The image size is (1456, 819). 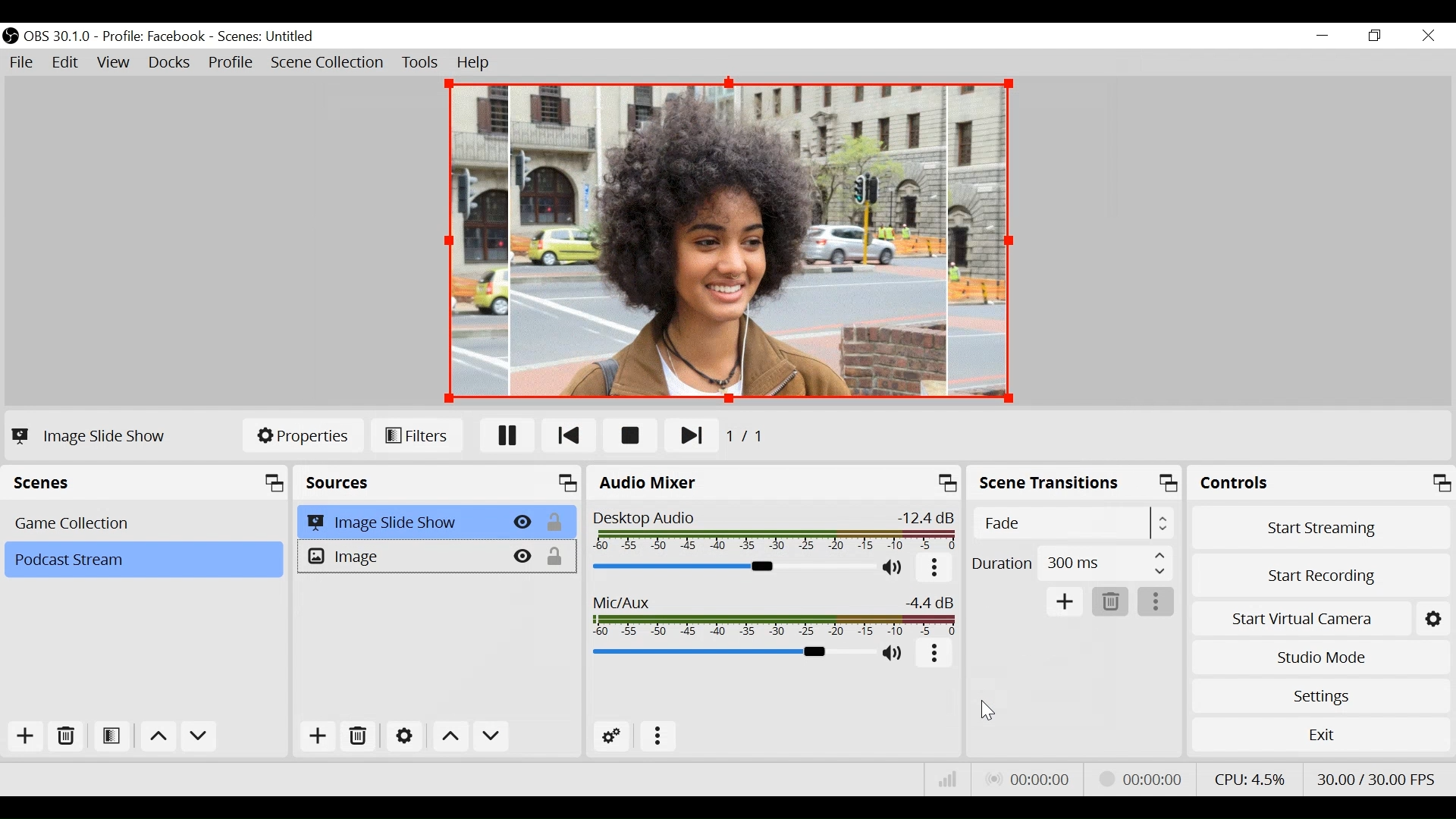 What do you see at coordinates (1321, 655) in the screenshot?
I see `Studio Mode` at bounding box center [1321, 655].